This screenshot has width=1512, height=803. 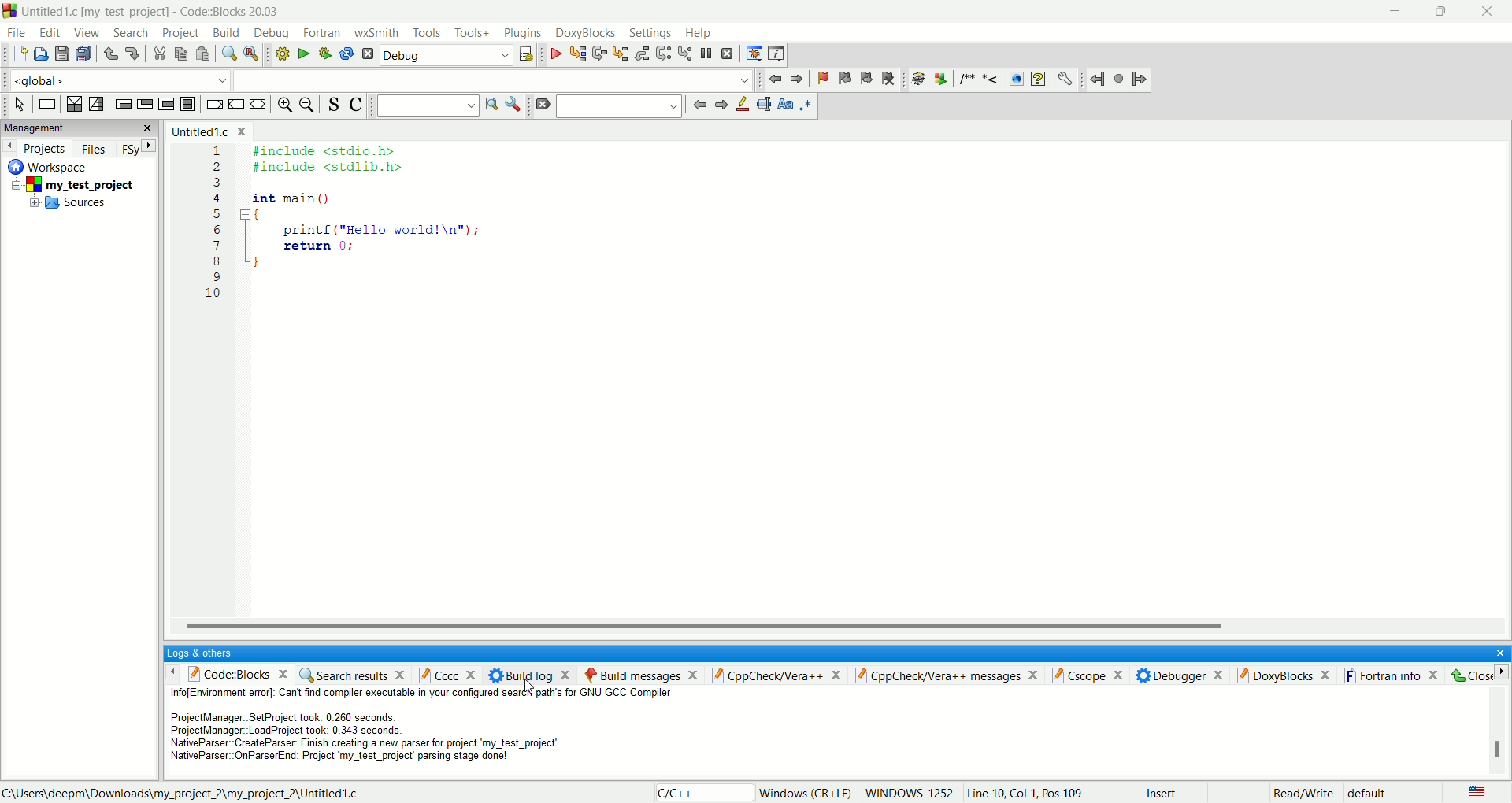 What do you see at coordinates (948, 675) in the screenshot?
I see `Cppcheck/vera++ messages` at bounding box center [948, 675].